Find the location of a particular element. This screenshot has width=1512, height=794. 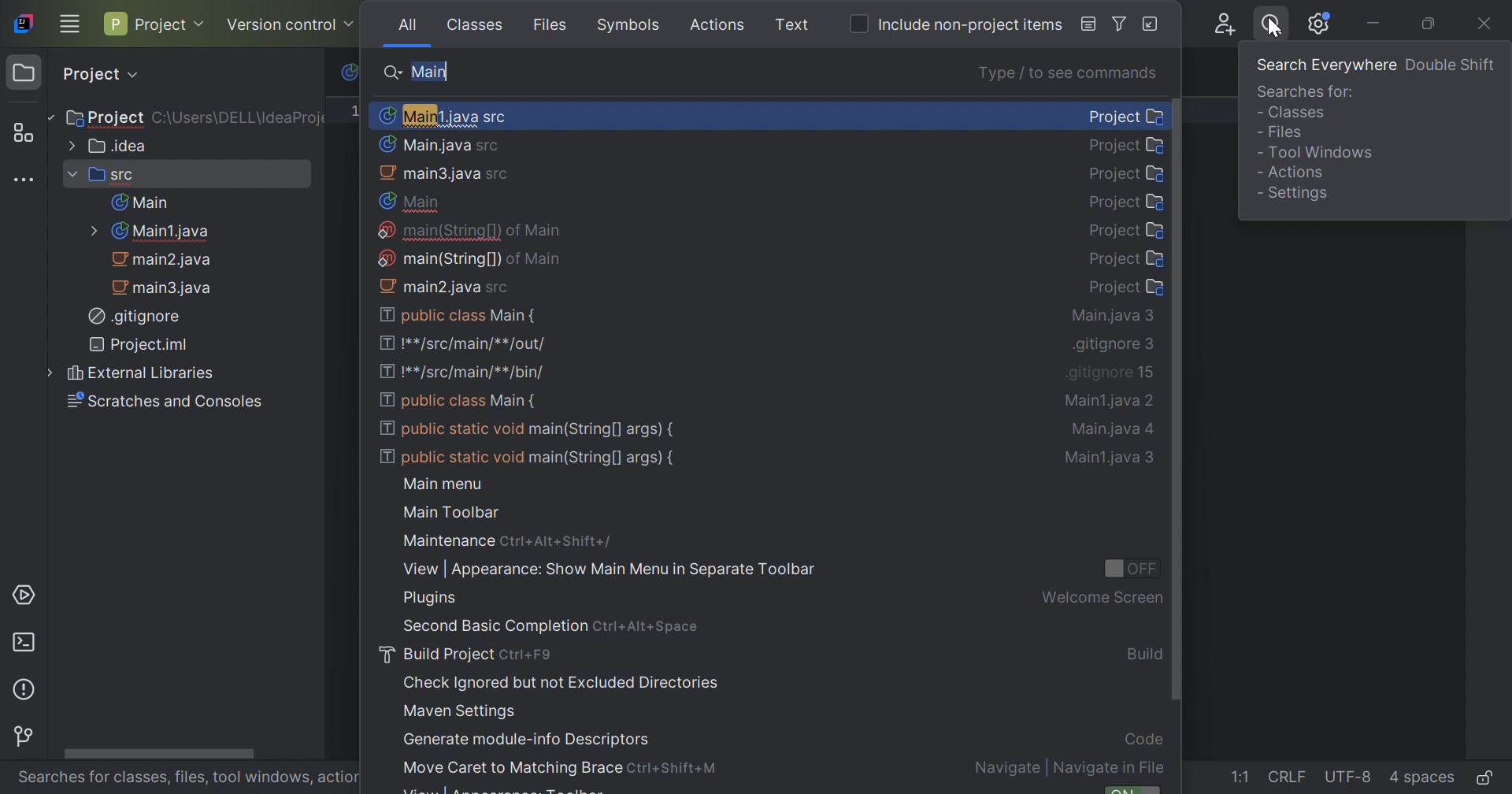

Restore down is located at coordinates (1431, 24).